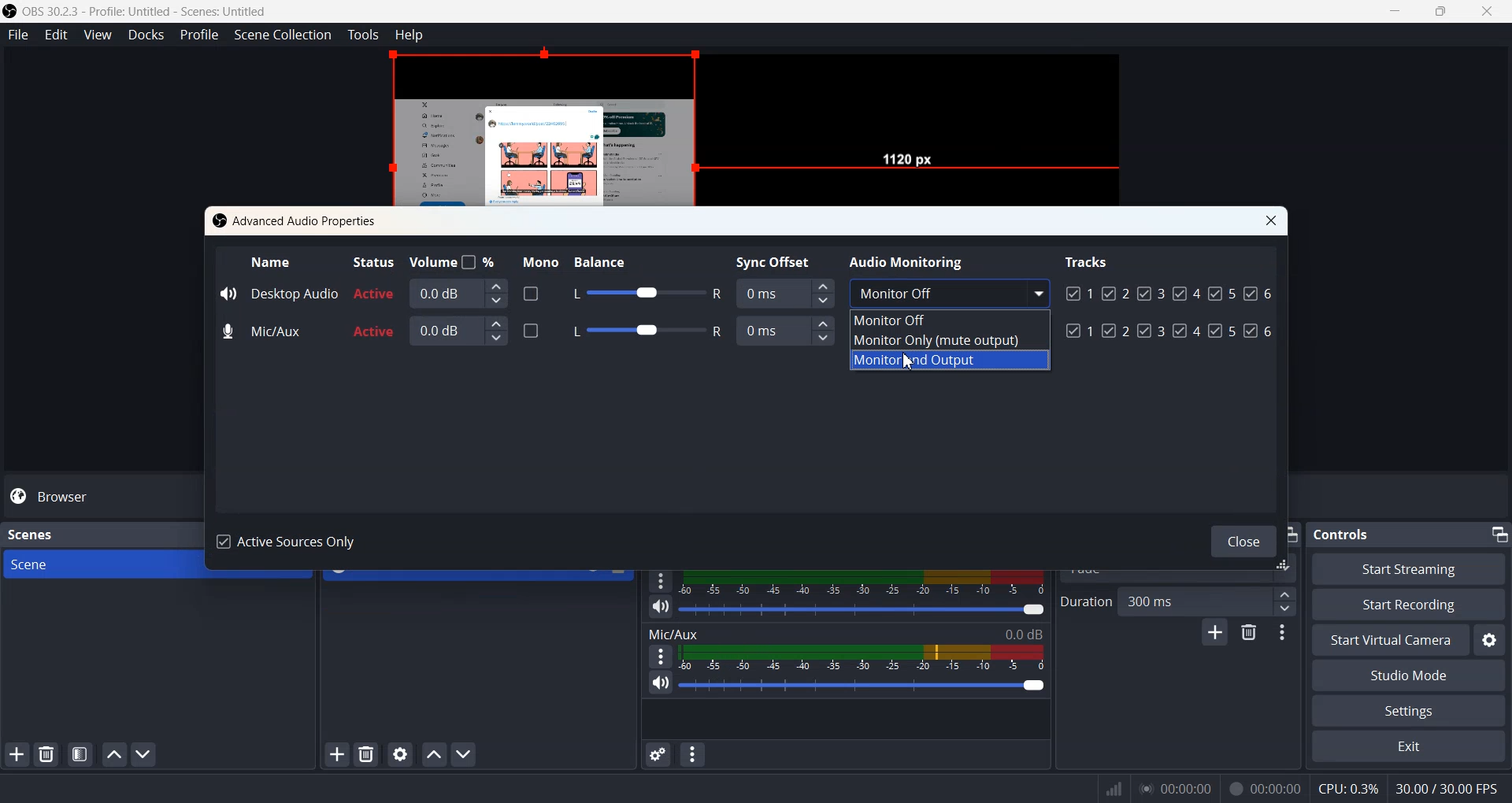  Describe the element at coordinates (1410, 568) in the screenshot. I see `Start Streaming` at that location.